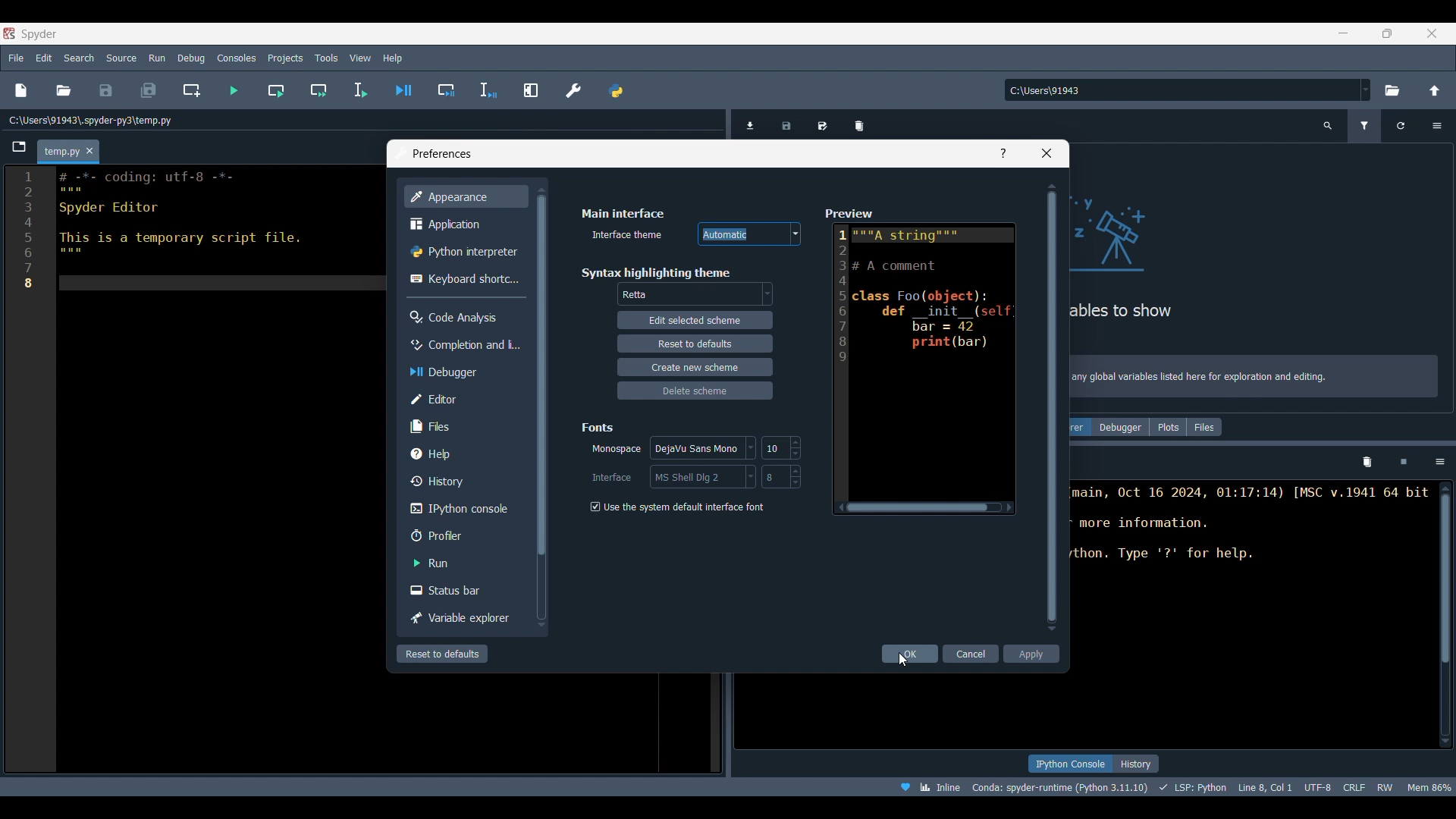 This screenshot has height=819, width=1456. Describe the element at coordinates (91, 121) in the screenshot. I see `Location of current file` at that location.